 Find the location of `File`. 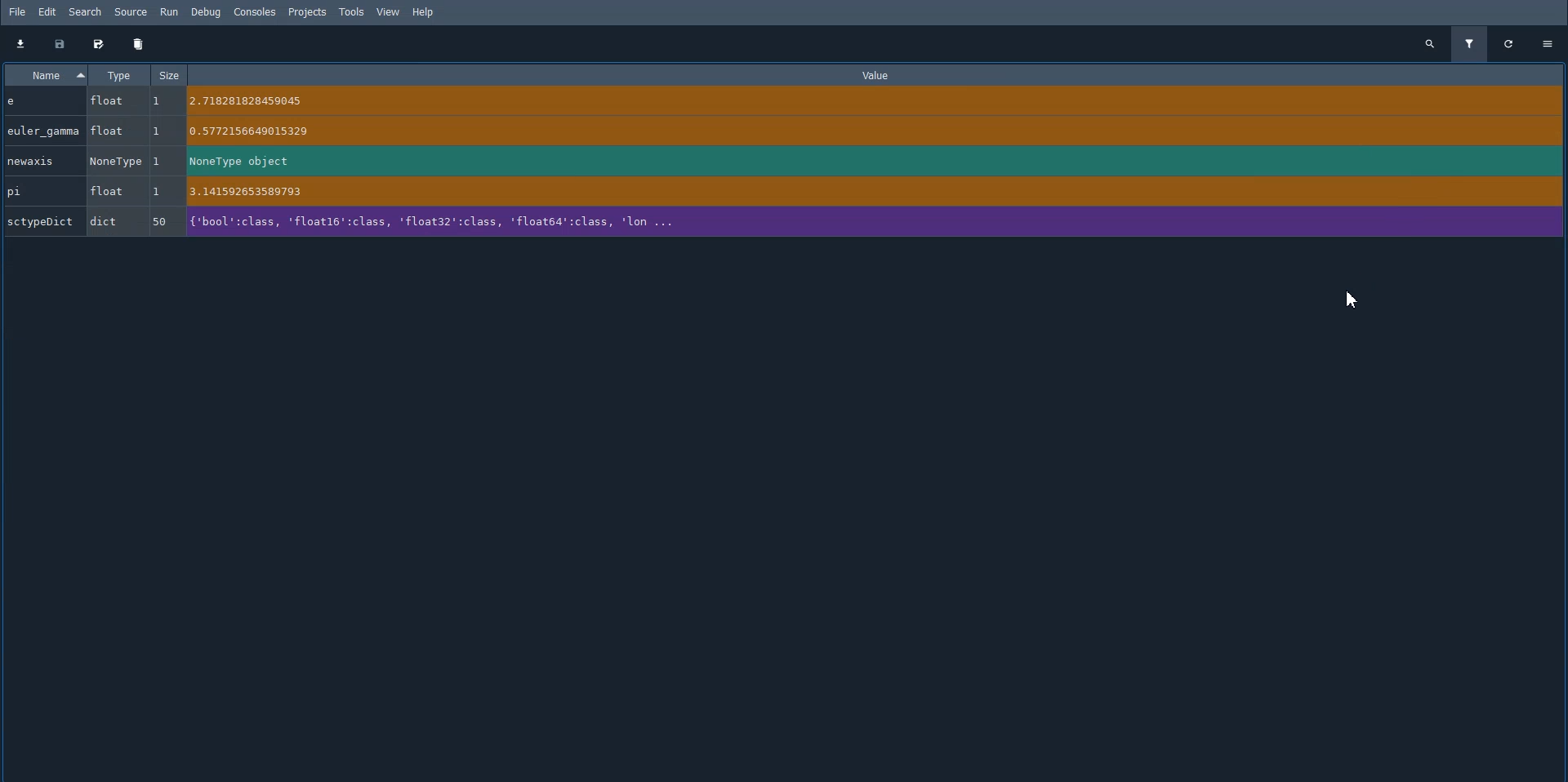

File is located at coordinates (17, 11).